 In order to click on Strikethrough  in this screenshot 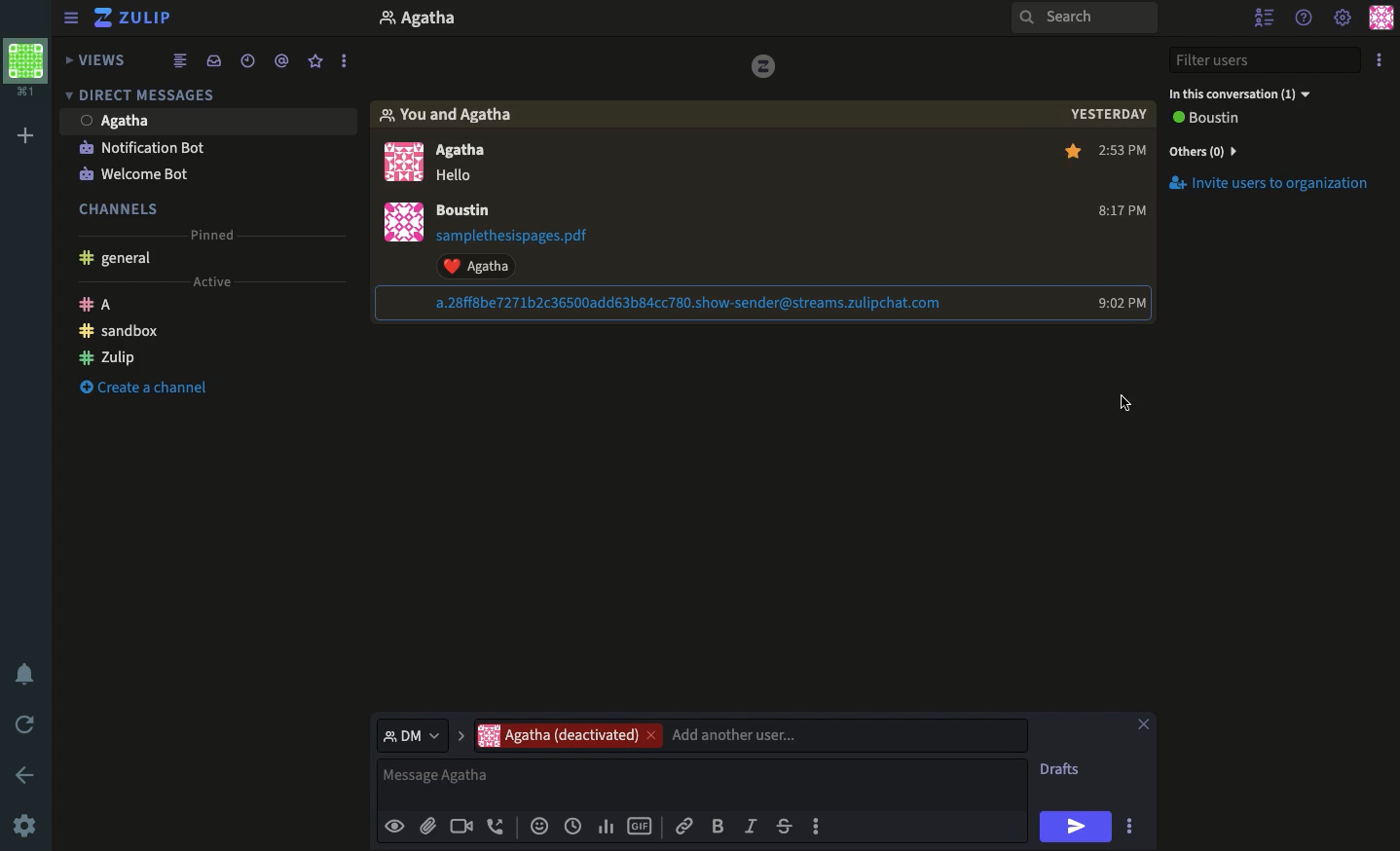, I will do `click(784, 826)`.